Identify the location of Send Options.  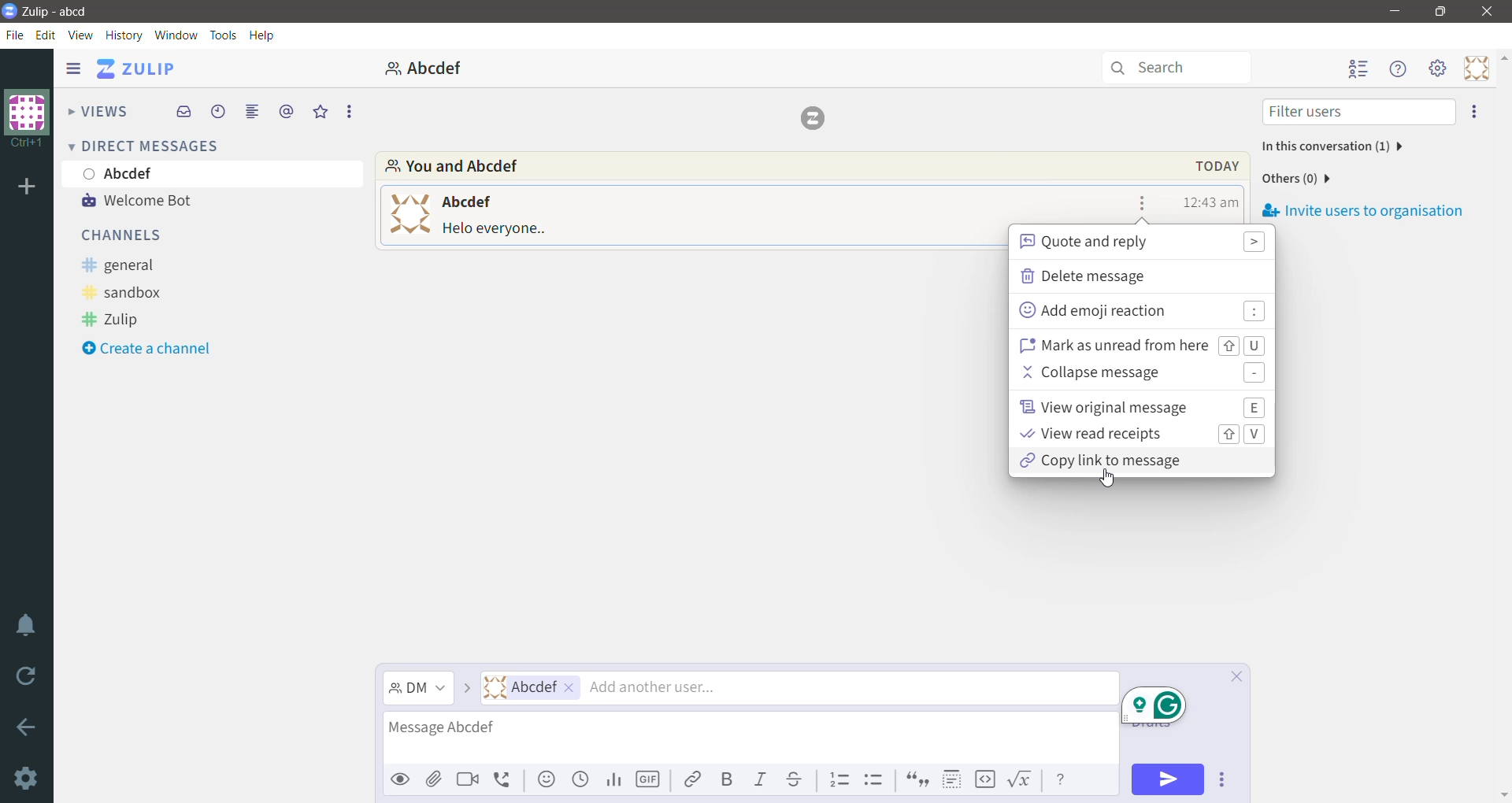
(1221, 779).